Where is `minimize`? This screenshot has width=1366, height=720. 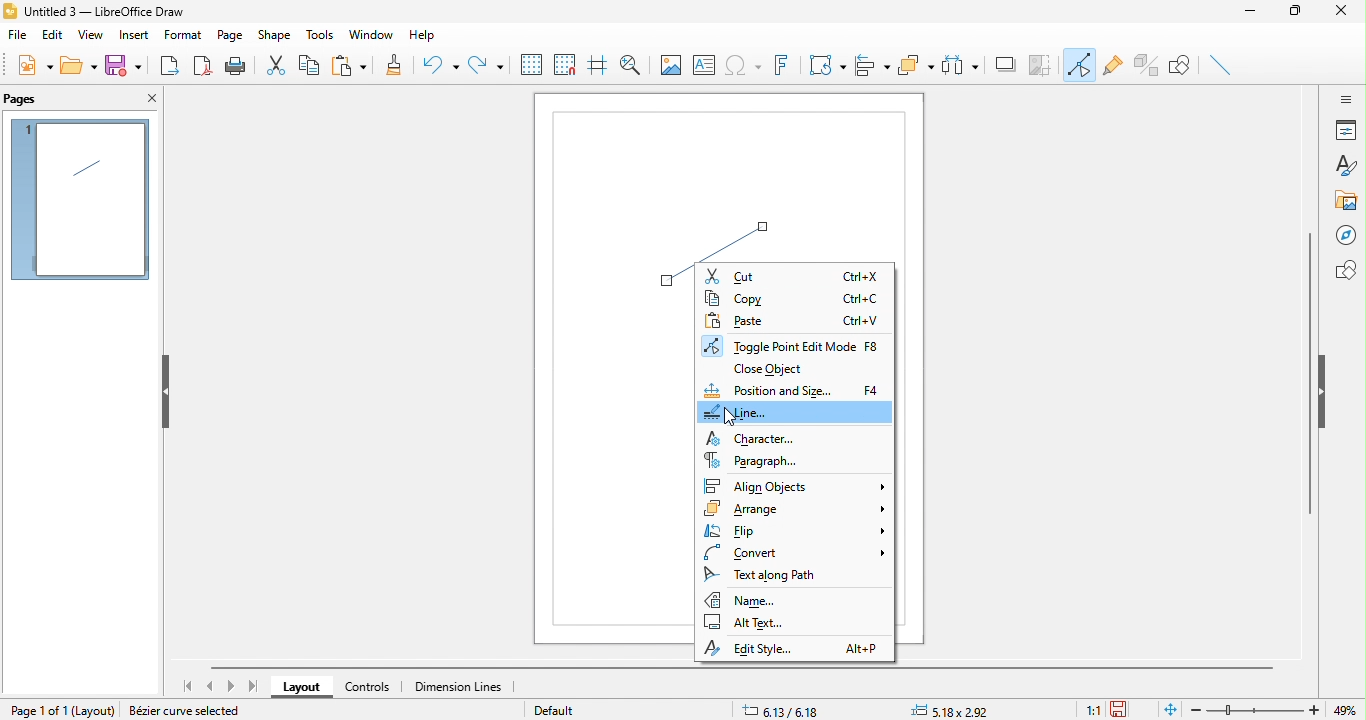
minimize is located at coordinates (1255, 14).